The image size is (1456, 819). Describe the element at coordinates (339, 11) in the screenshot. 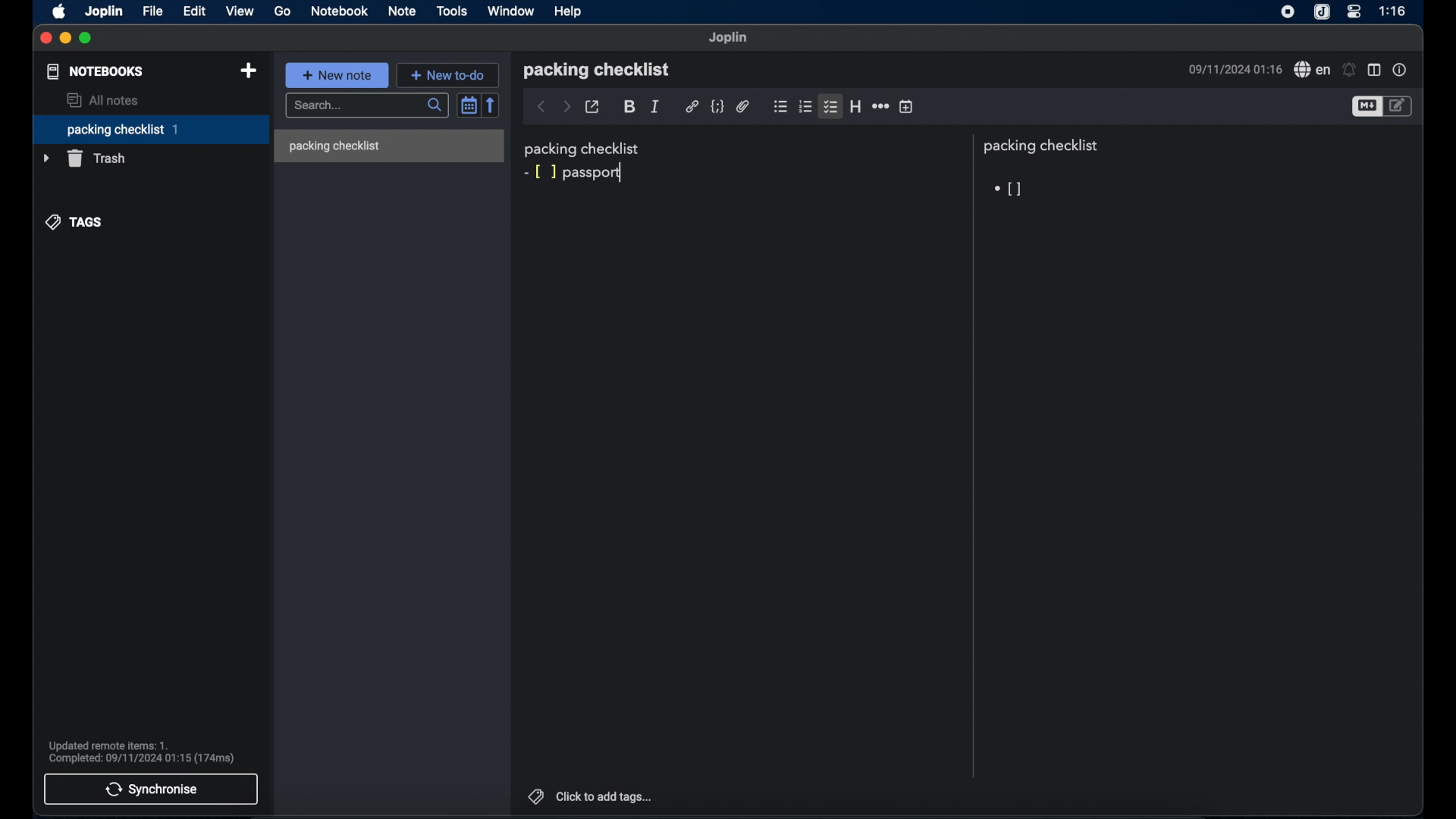

I see `notebook` at that location.